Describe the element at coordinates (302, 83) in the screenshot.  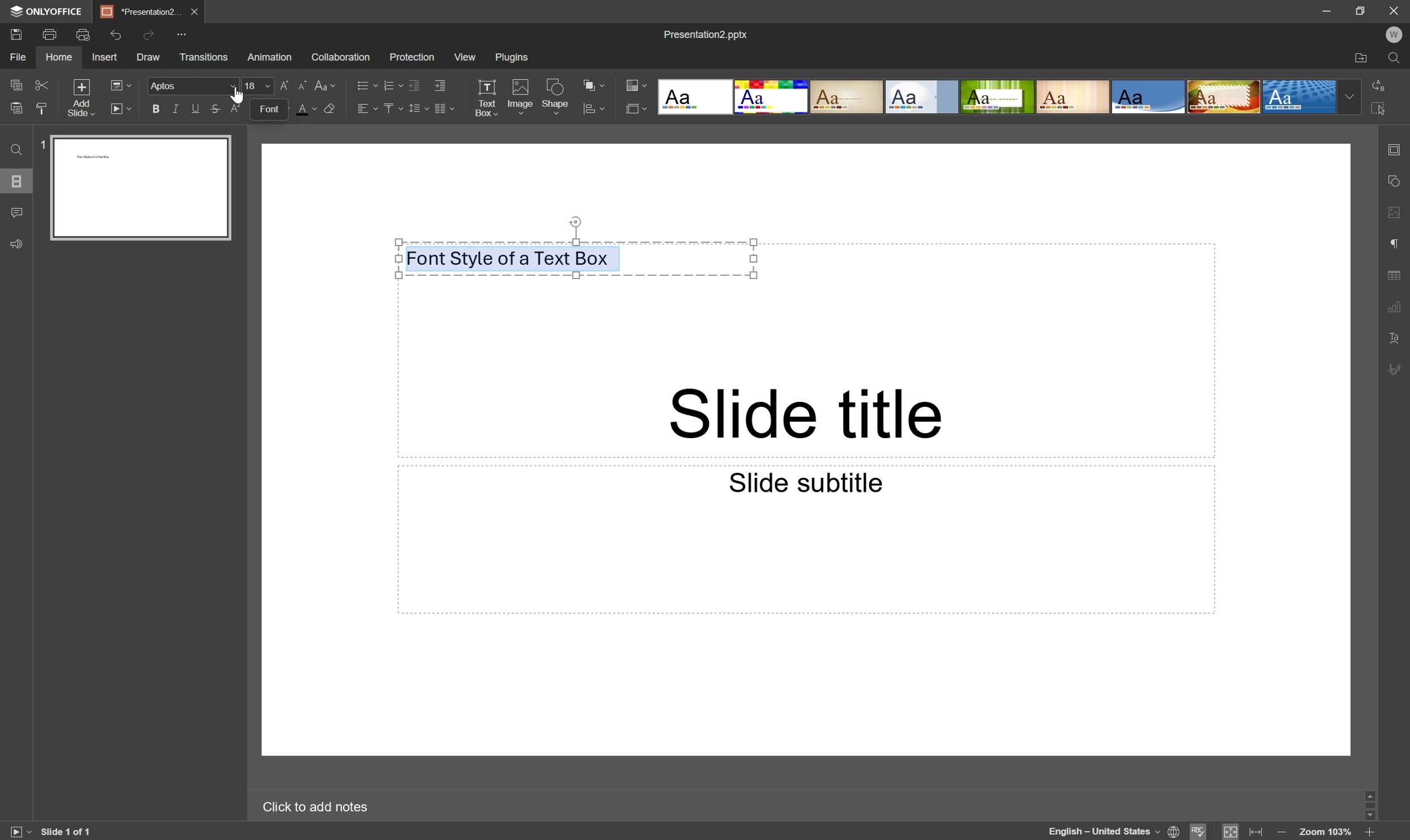
I see `Decrement font size` at that location.